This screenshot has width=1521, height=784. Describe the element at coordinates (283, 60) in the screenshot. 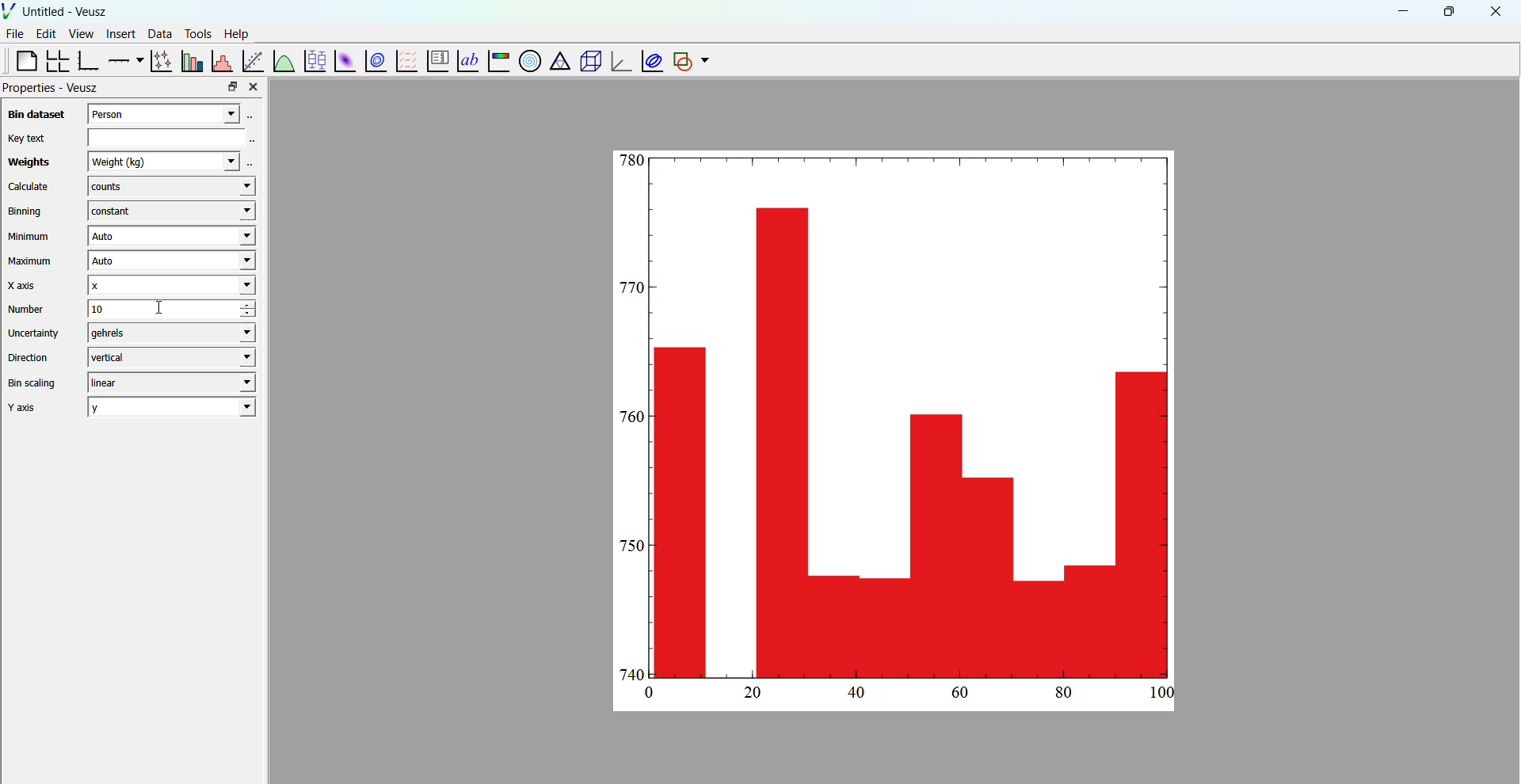

I see `plot functions` at that location.